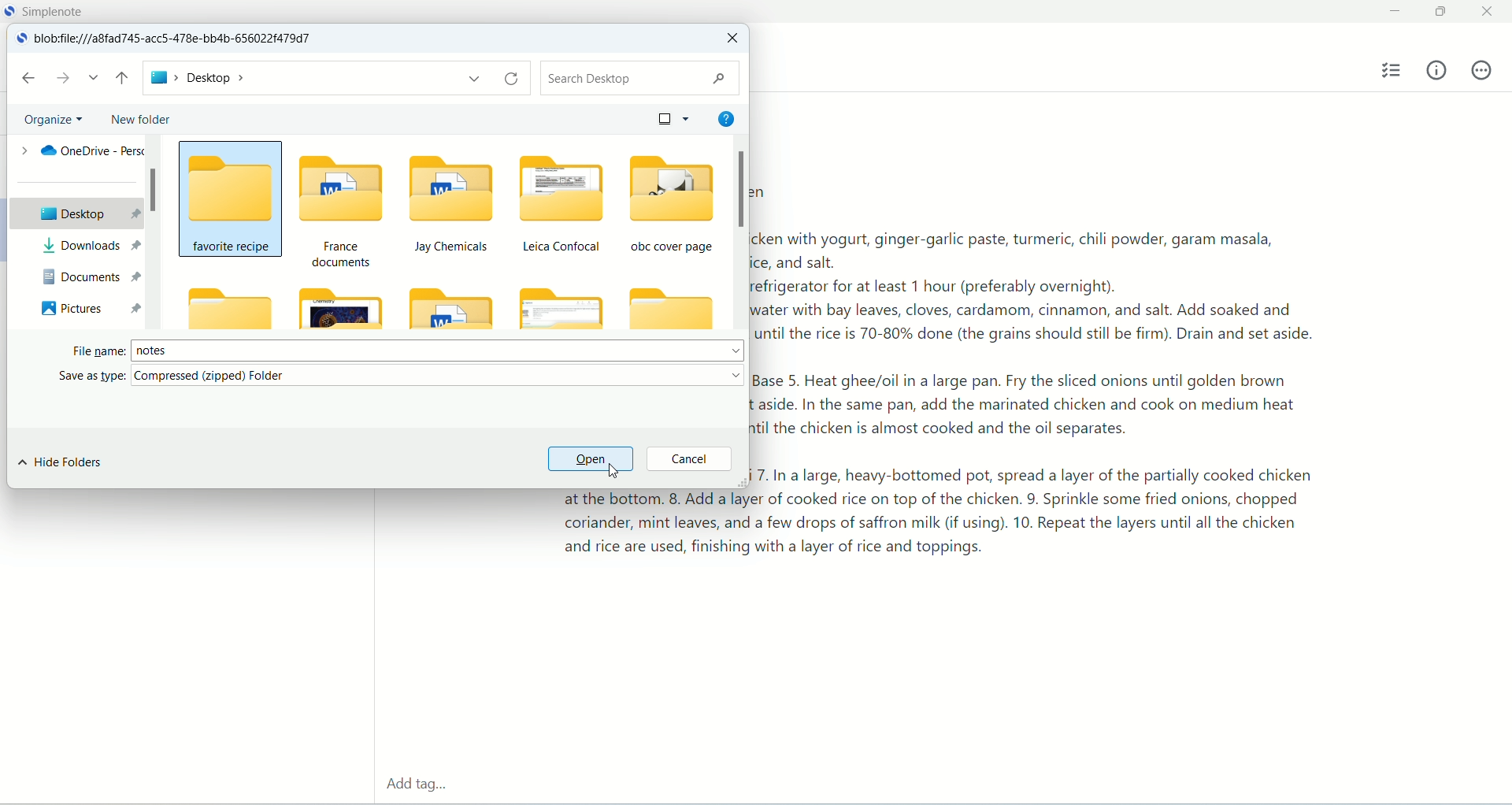 This screenshot has width=1512, height=805. I want to click on hide folders, so click(61, 463).